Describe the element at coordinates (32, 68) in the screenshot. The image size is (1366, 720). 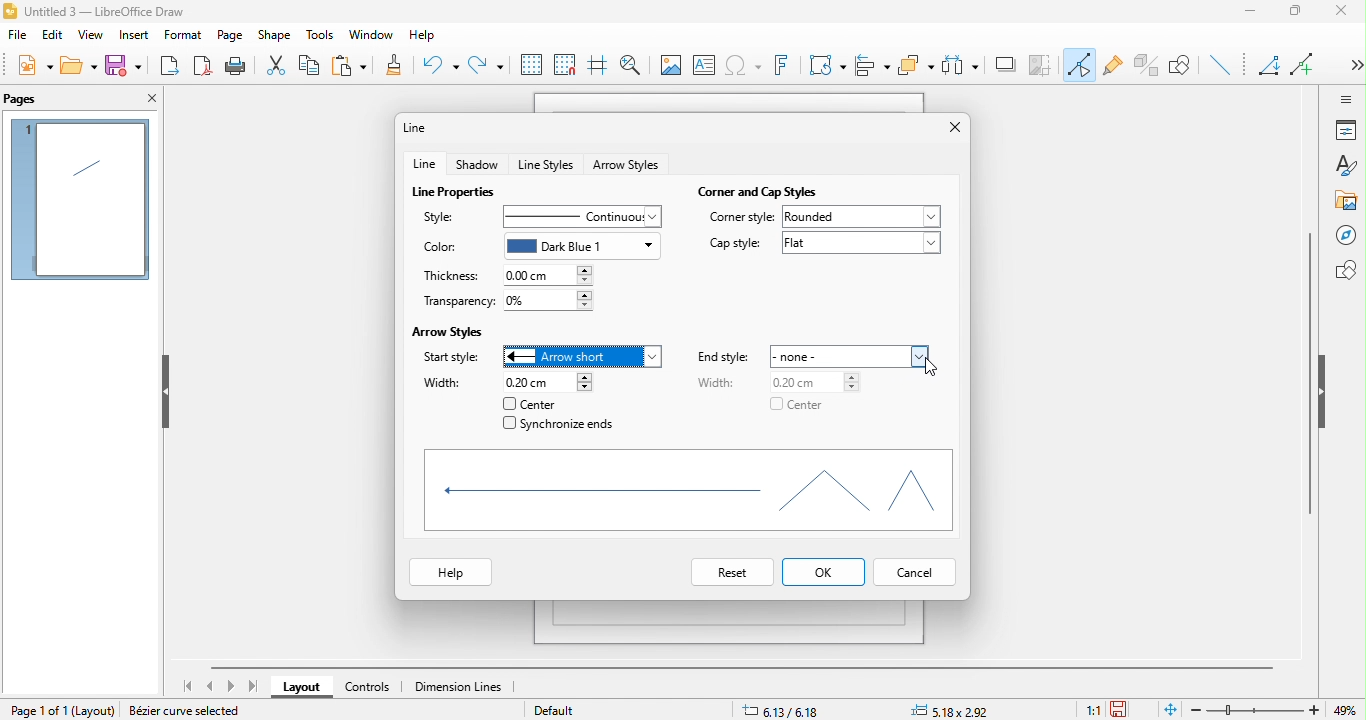
I see `new` at that location.